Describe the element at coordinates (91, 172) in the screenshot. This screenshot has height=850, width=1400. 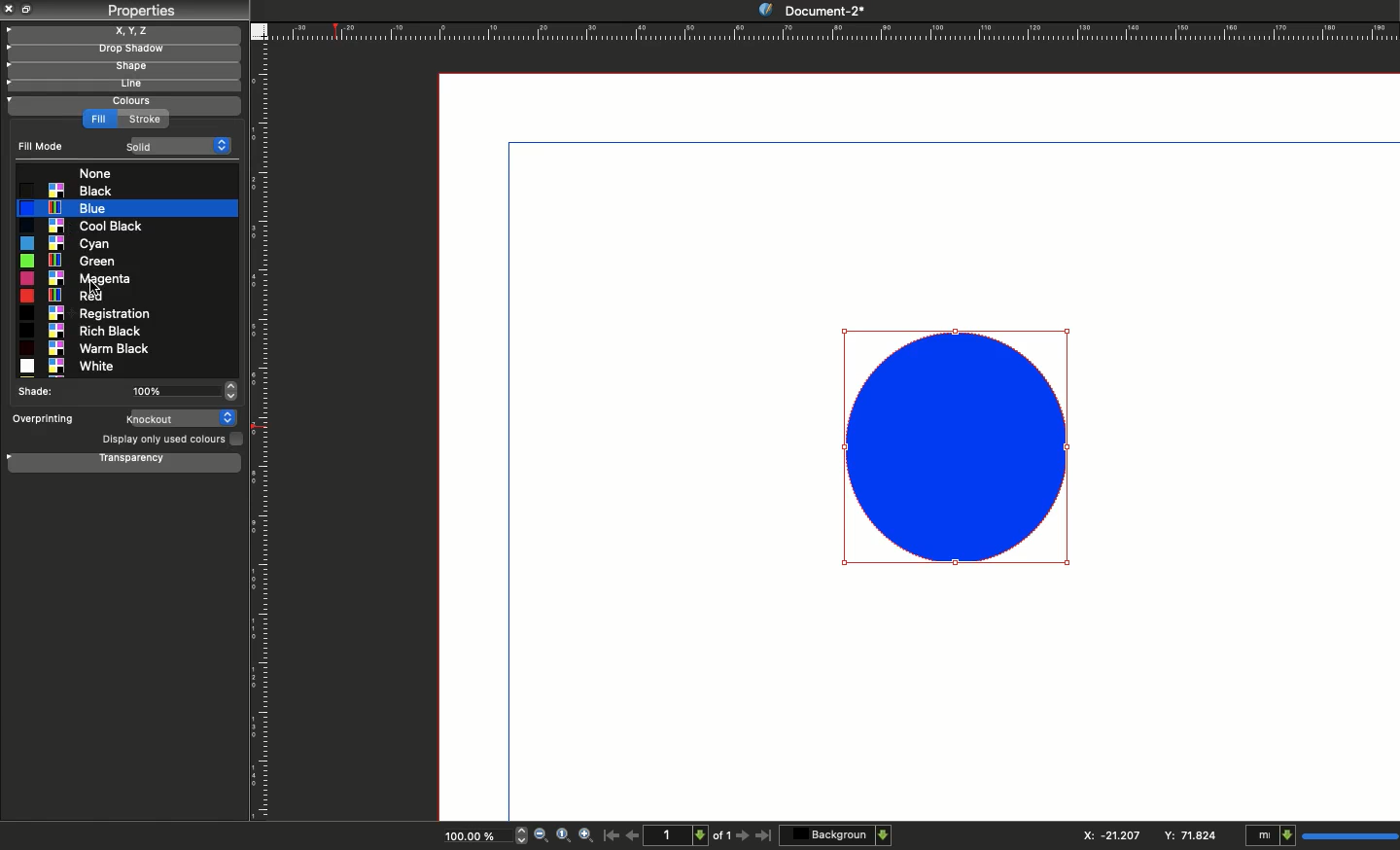
I see `None` at that location.